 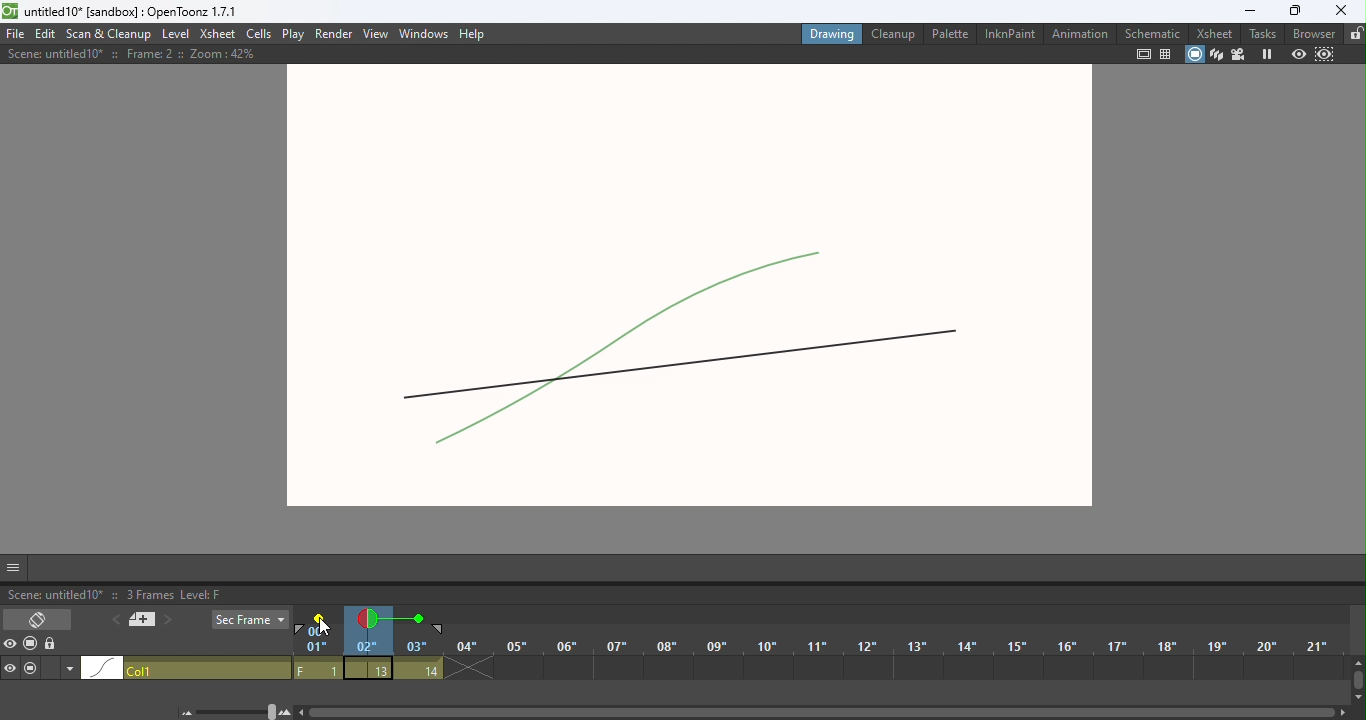 I want to click on Freeze, so click(x=1266, y=55).